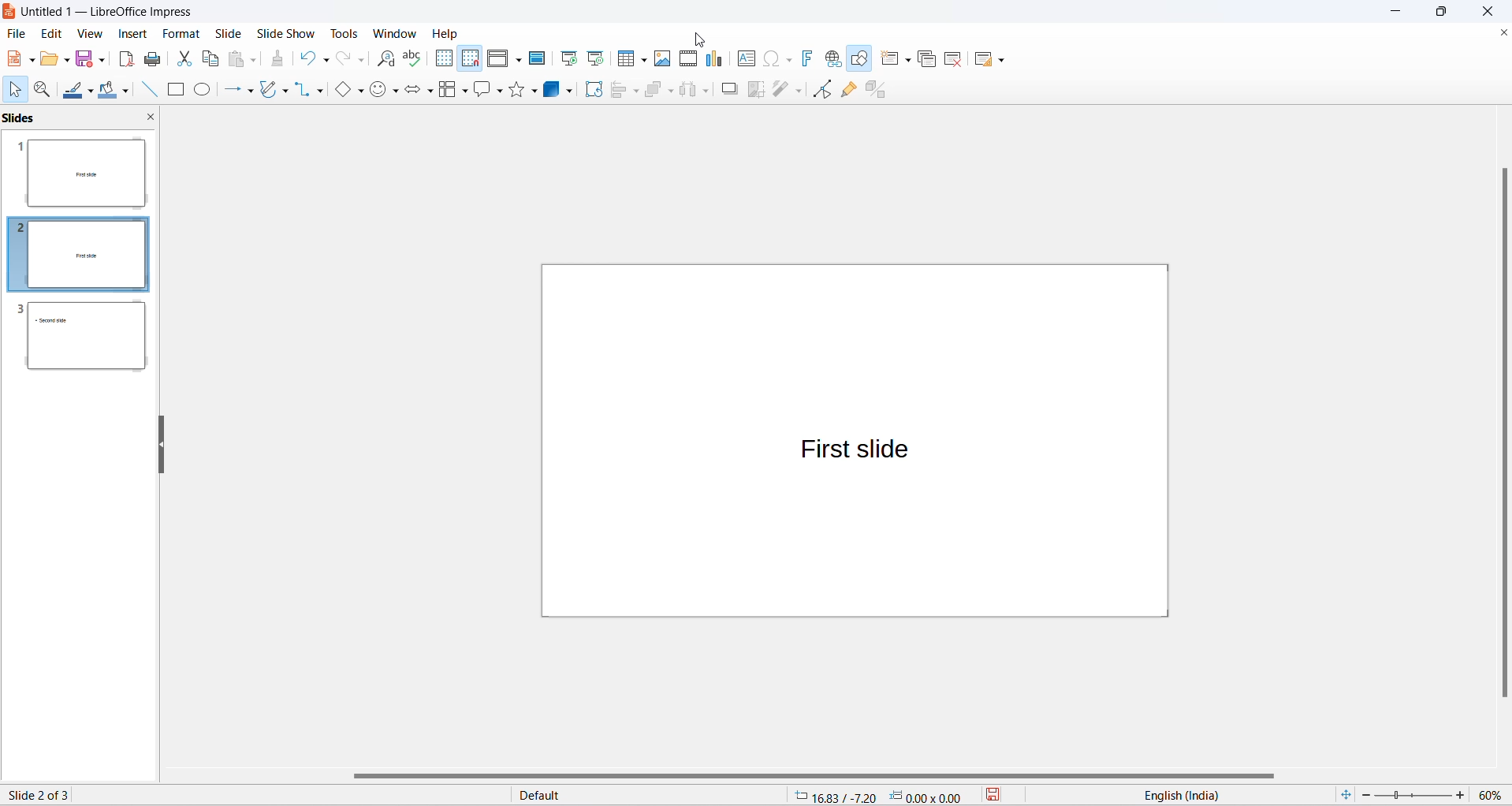 The image size is (1512, 806). What do you see at coordinates (890, 62) in the screenshot?
I see `new slide` at bounding box center [890, 62].